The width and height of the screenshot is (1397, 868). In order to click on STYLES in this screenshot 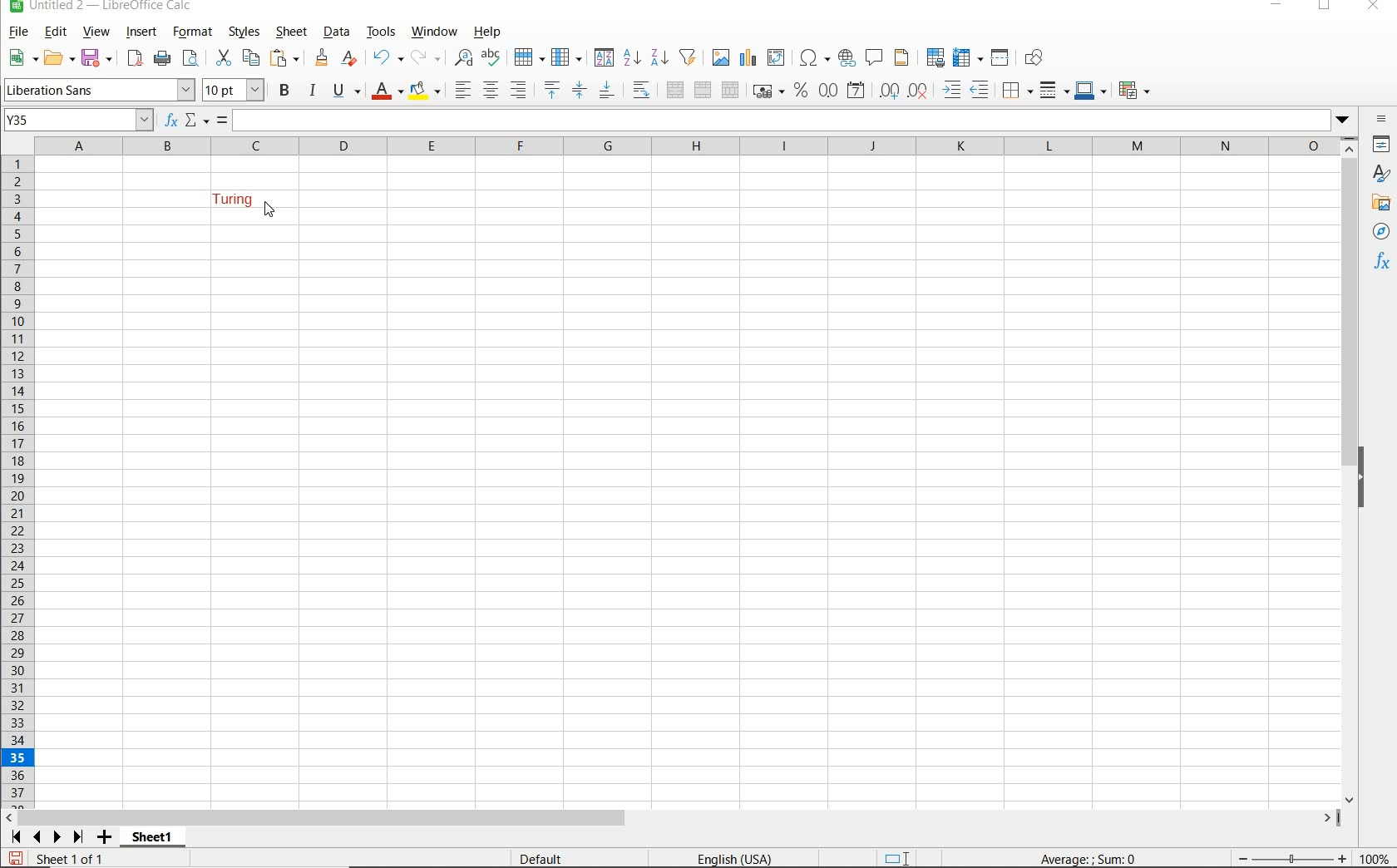, I will do `click(243, 33)`.